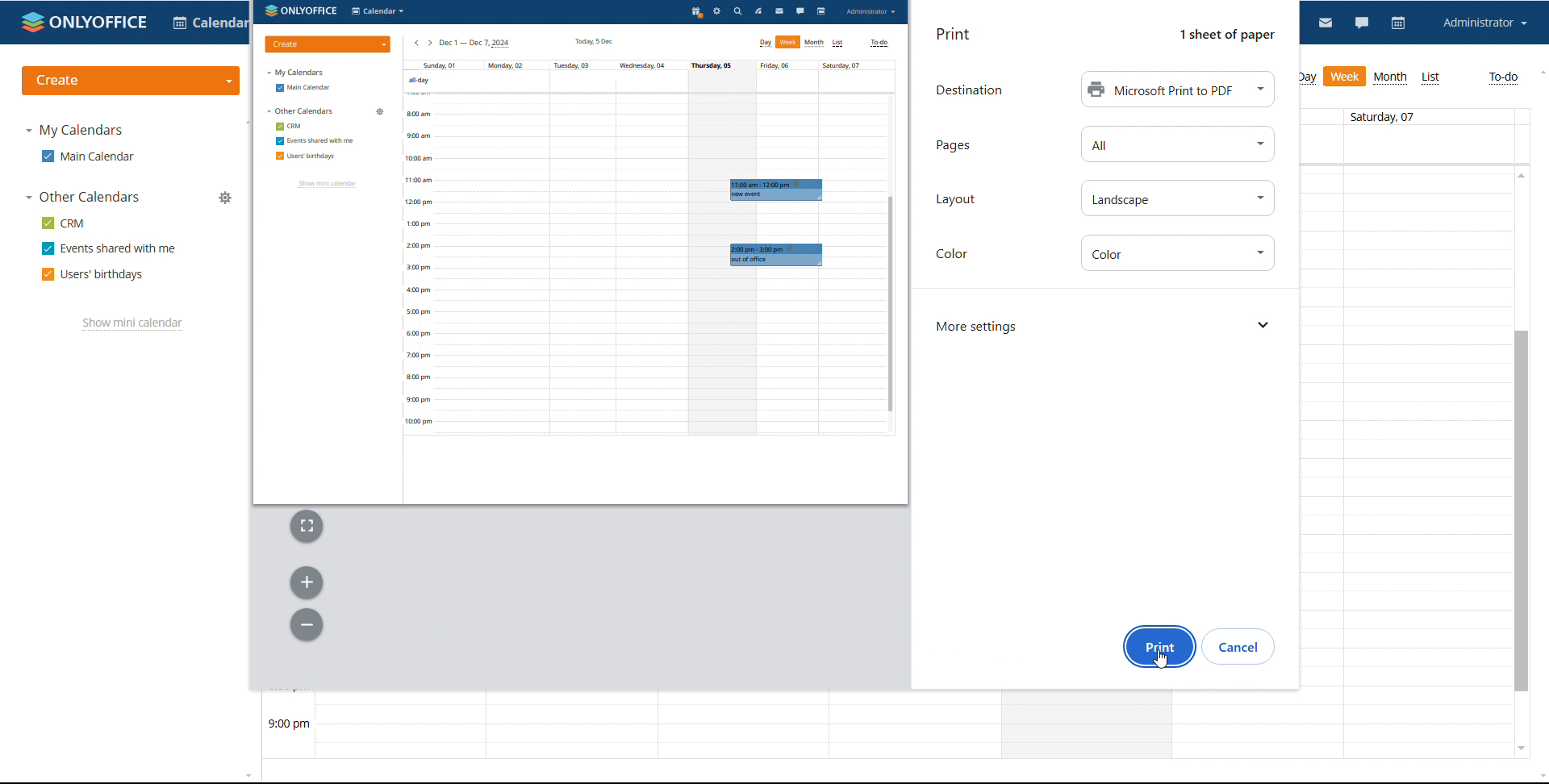 This screenshot has width=1549, height=784. What do you see at coordinates (958, 147) in the screenshot?
I see `text` at bounding box center [958, 147].